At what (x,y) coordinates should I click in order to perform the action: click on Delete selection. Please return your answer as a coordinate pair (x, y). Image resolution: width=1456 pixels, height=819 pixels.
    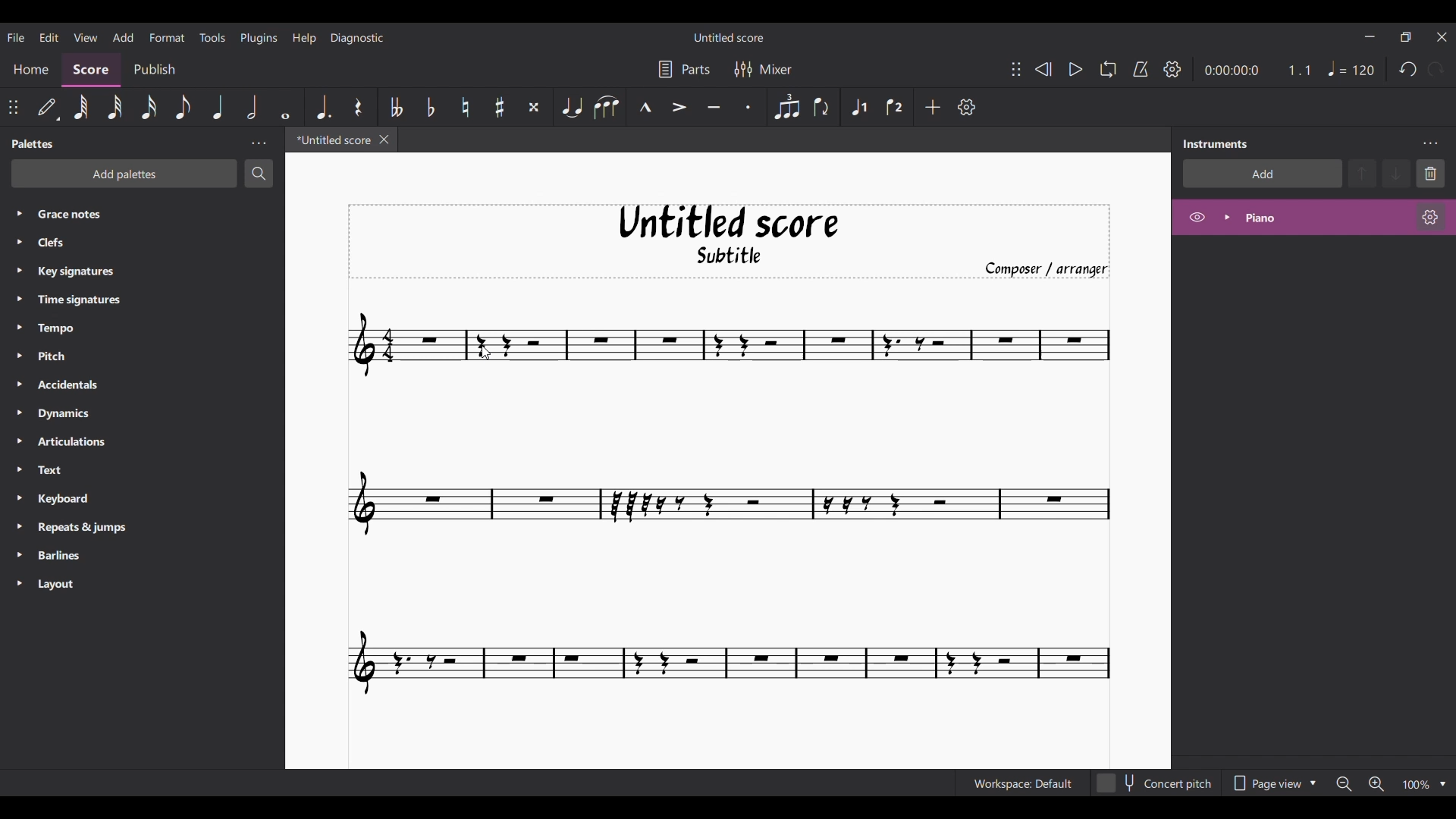
    Looking at the image, I should click on (1430, 173).